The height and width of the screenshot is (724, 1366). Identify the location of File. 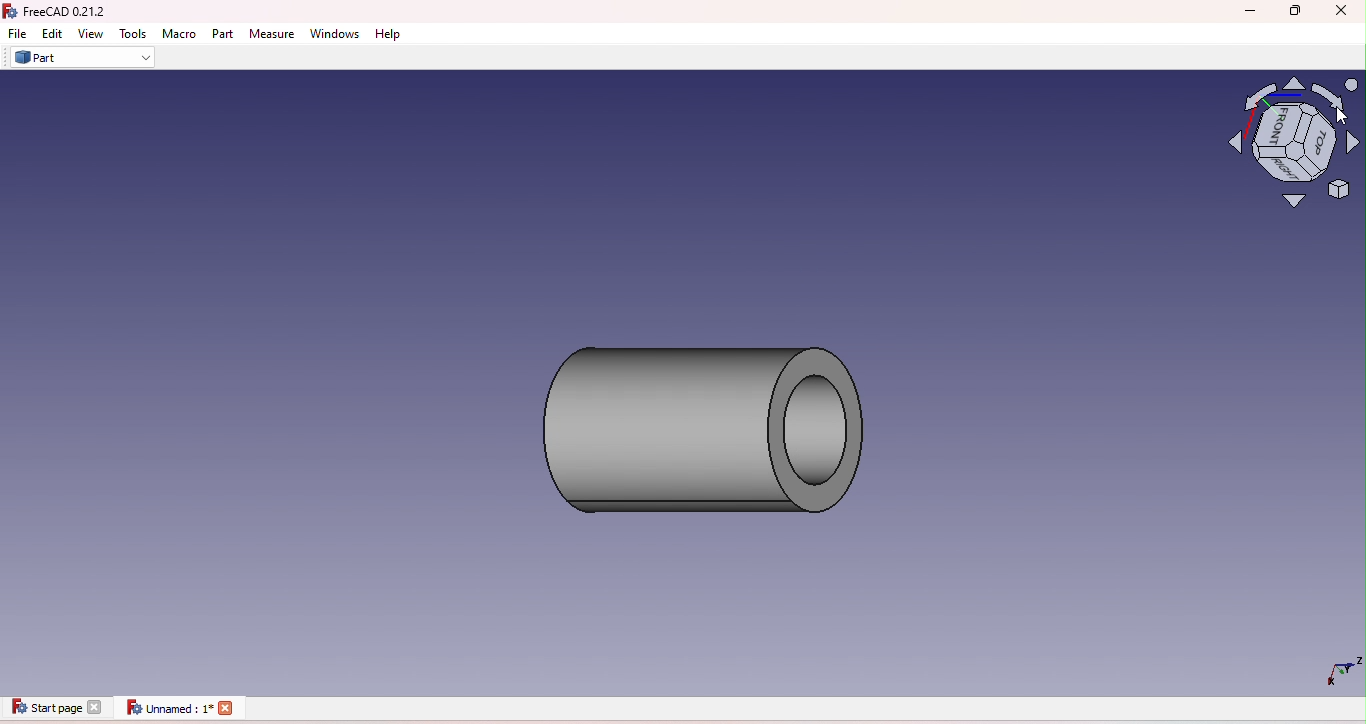
(17, 33).